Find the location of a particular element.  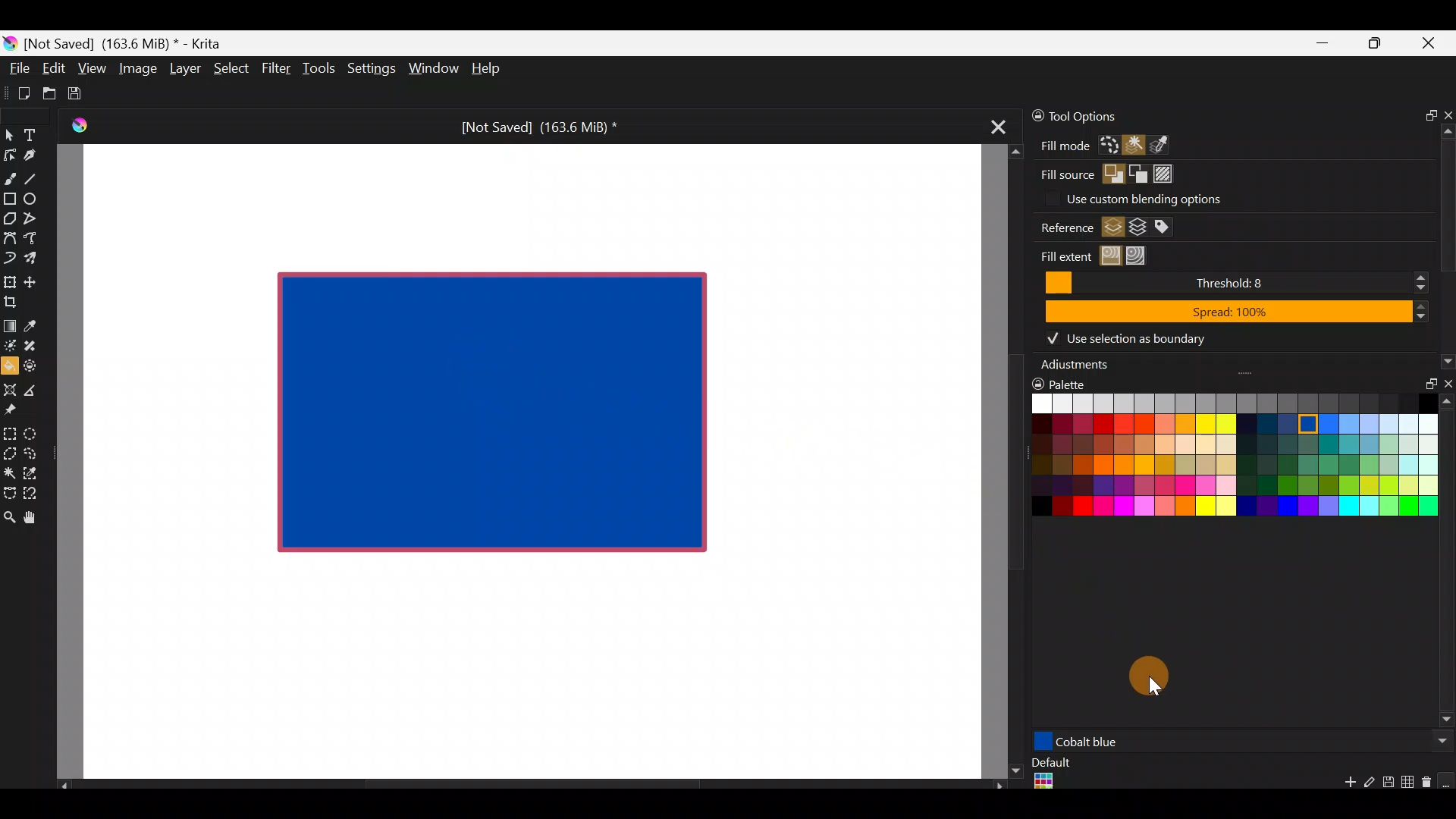

Assistant tool is located at coordinates (10, 388).